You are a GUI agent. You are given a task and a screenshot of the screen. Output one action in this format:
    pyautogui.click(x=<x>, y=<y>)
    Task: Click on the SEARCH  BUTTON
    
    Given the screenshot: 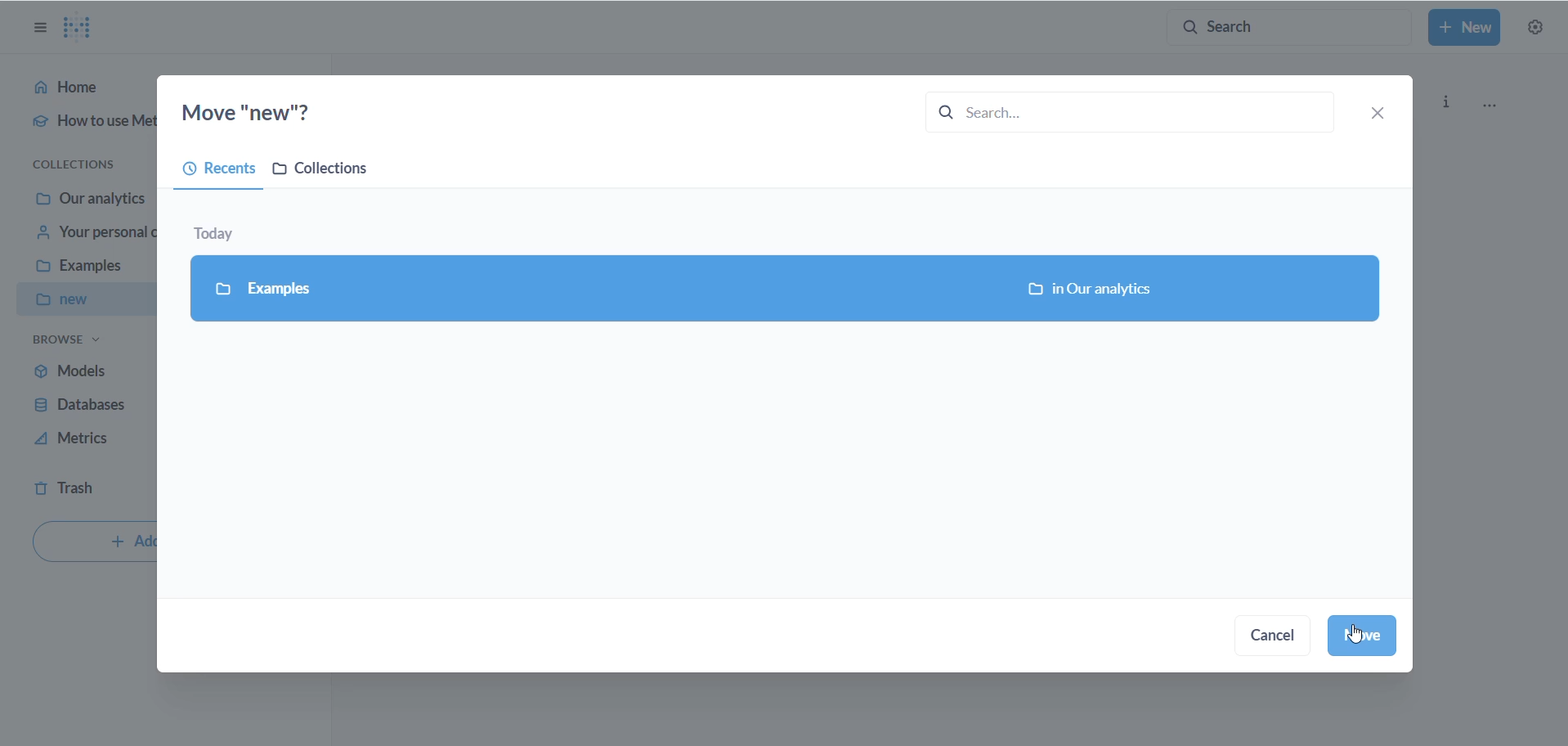 What is the action you would take?
    pyautogui.click(x=1289, y=26)
    